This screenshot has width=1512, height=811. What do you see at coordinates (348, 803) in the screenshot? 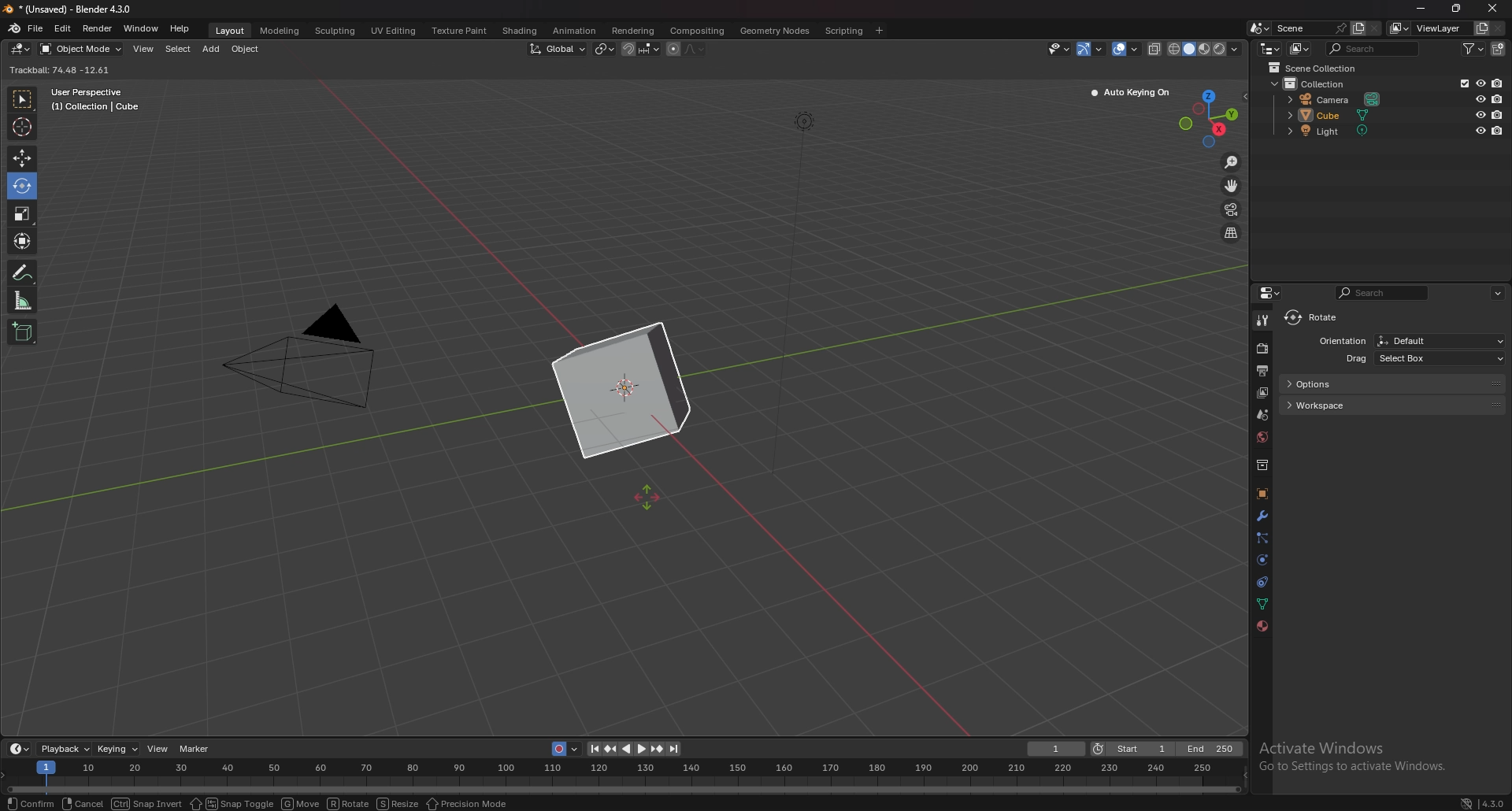
I see `Rotate` at bounding box center [348, 803].